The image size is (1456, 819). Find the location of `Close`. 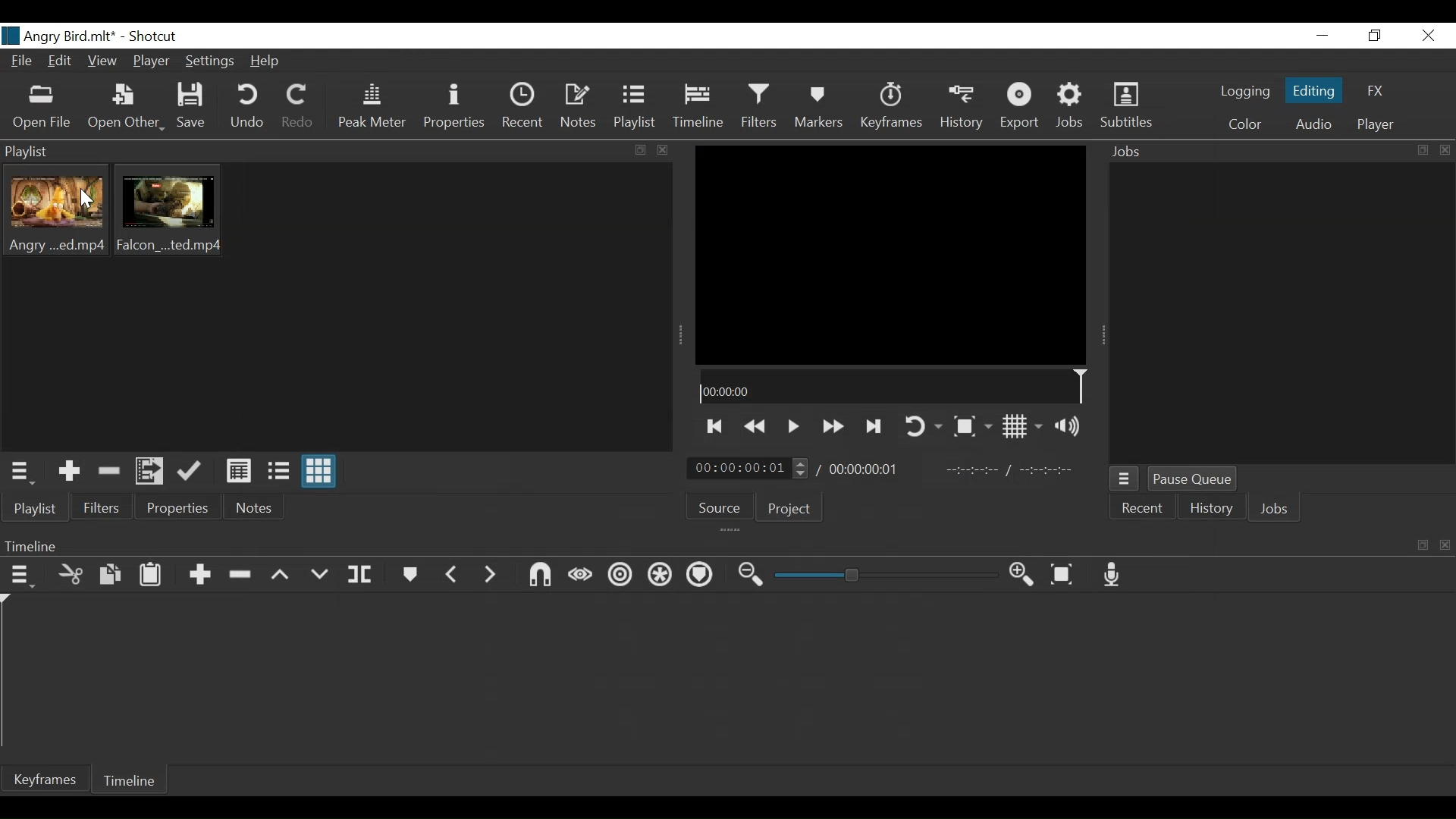

Close is located at coordinates (1426, 35).